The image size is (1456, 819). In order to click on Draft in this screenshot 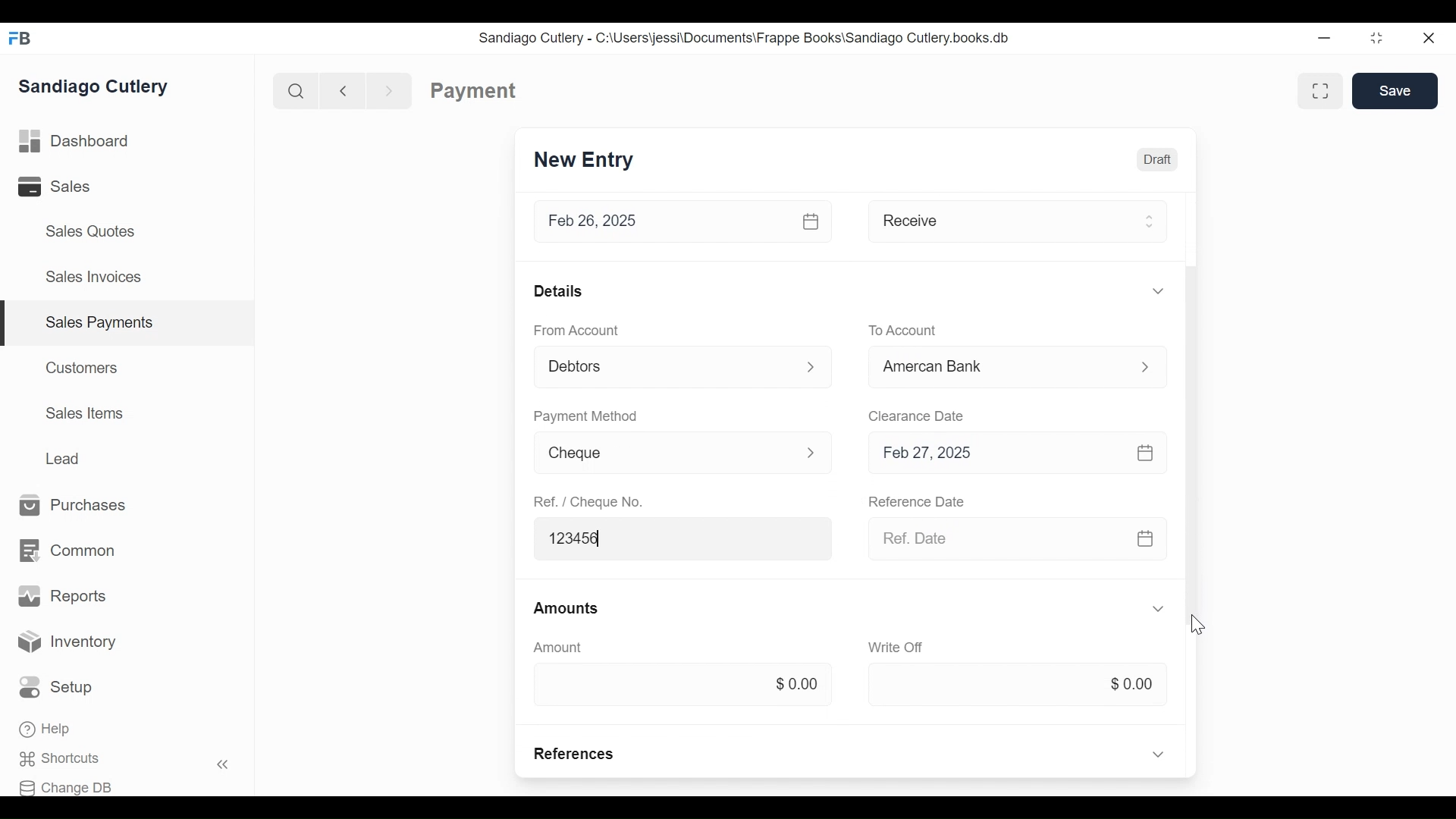, I will do `click(1156, 158)`.